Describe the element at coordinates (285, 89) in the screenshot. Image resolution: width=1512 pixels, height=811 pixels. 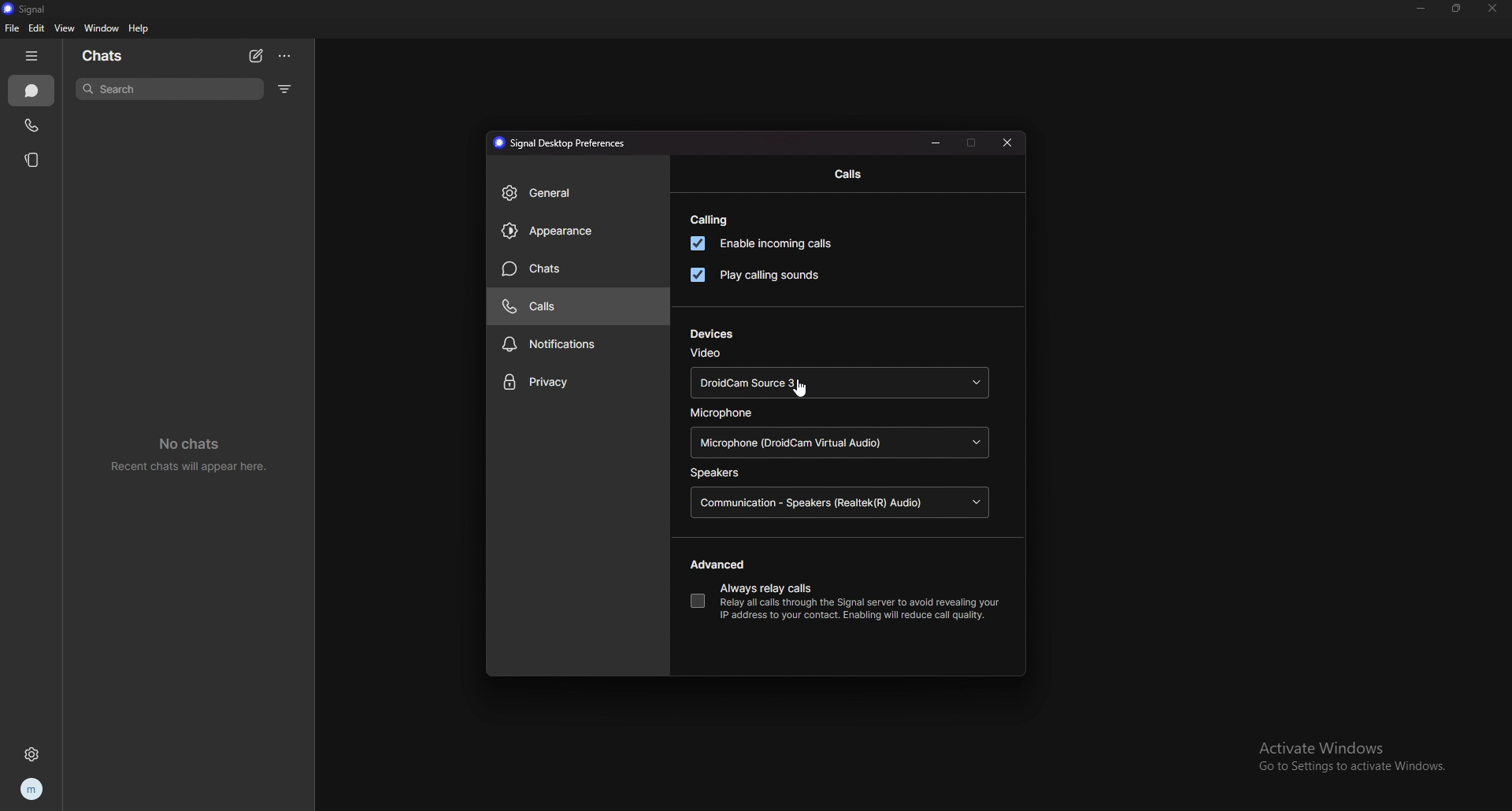
I see `filter` at that location.